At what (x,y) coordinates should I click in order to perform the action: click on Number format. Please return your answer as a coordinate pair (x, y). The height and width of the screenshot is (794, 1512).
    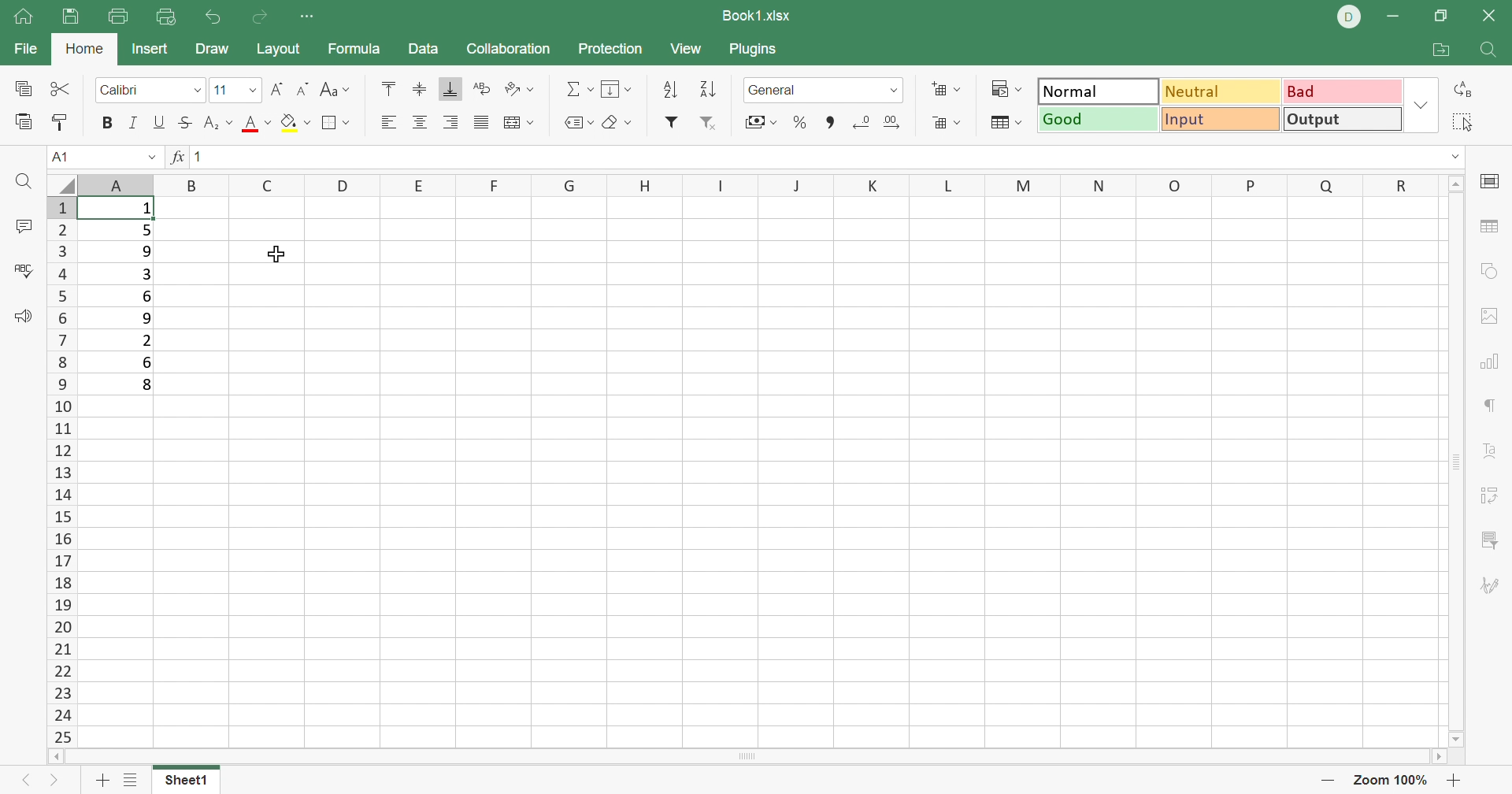
    Looking at the image, I should click on (802, 90).